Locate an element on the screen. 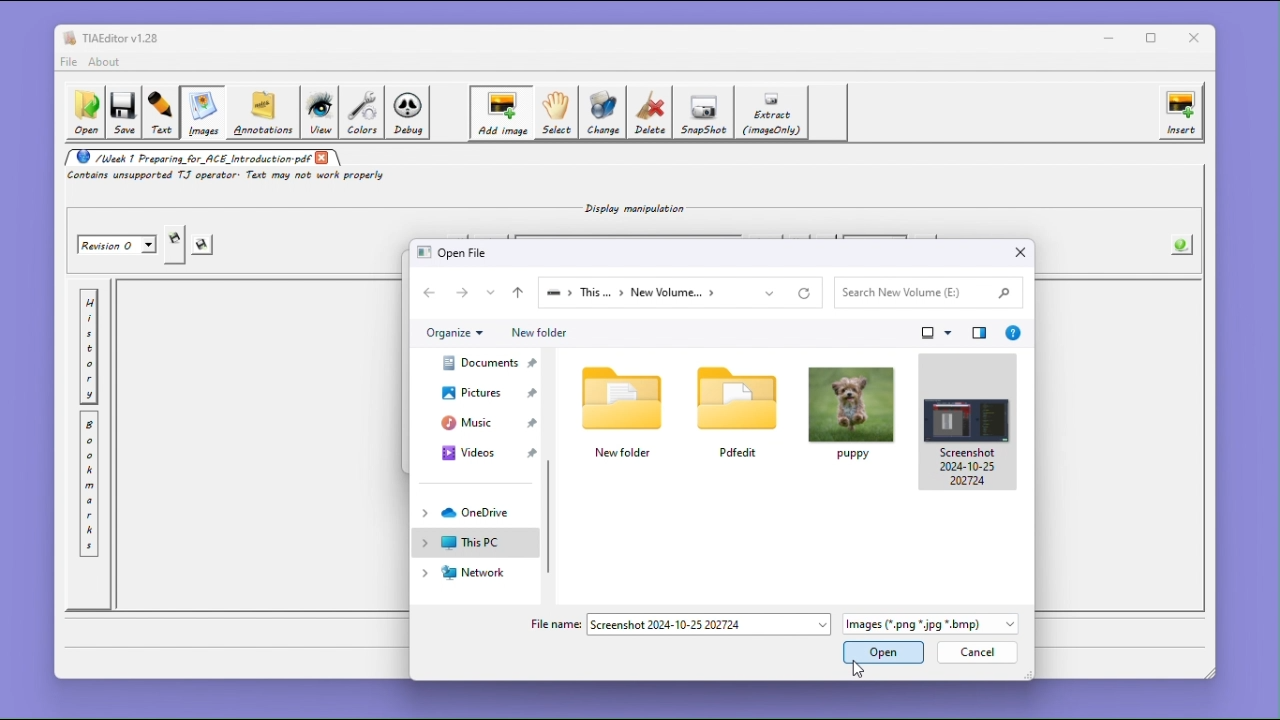  refresh is located at coordinates (808, 293).